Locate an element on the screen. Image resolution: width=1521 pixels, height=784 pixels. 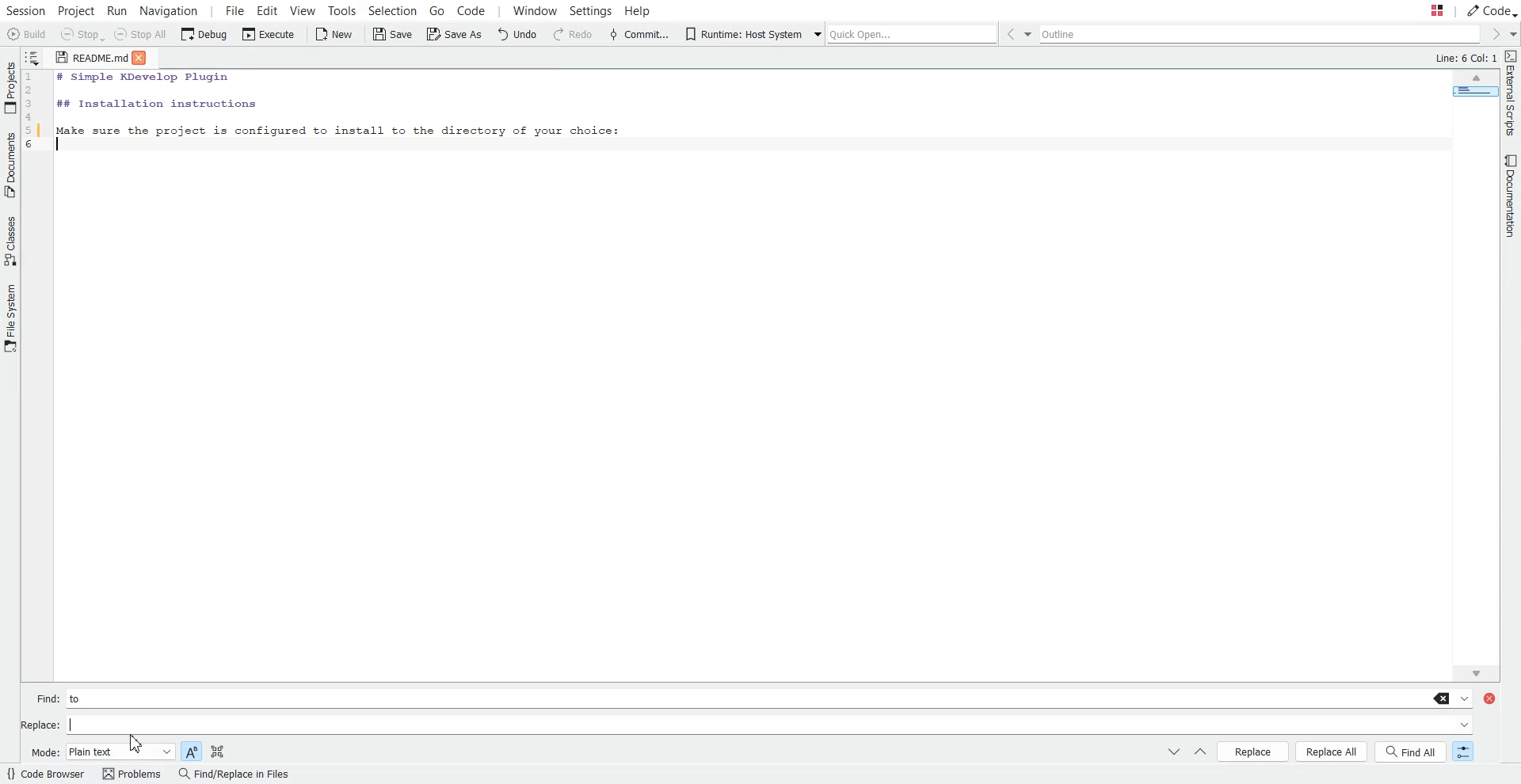
Switch to next is located at coordinates (1174, 752).